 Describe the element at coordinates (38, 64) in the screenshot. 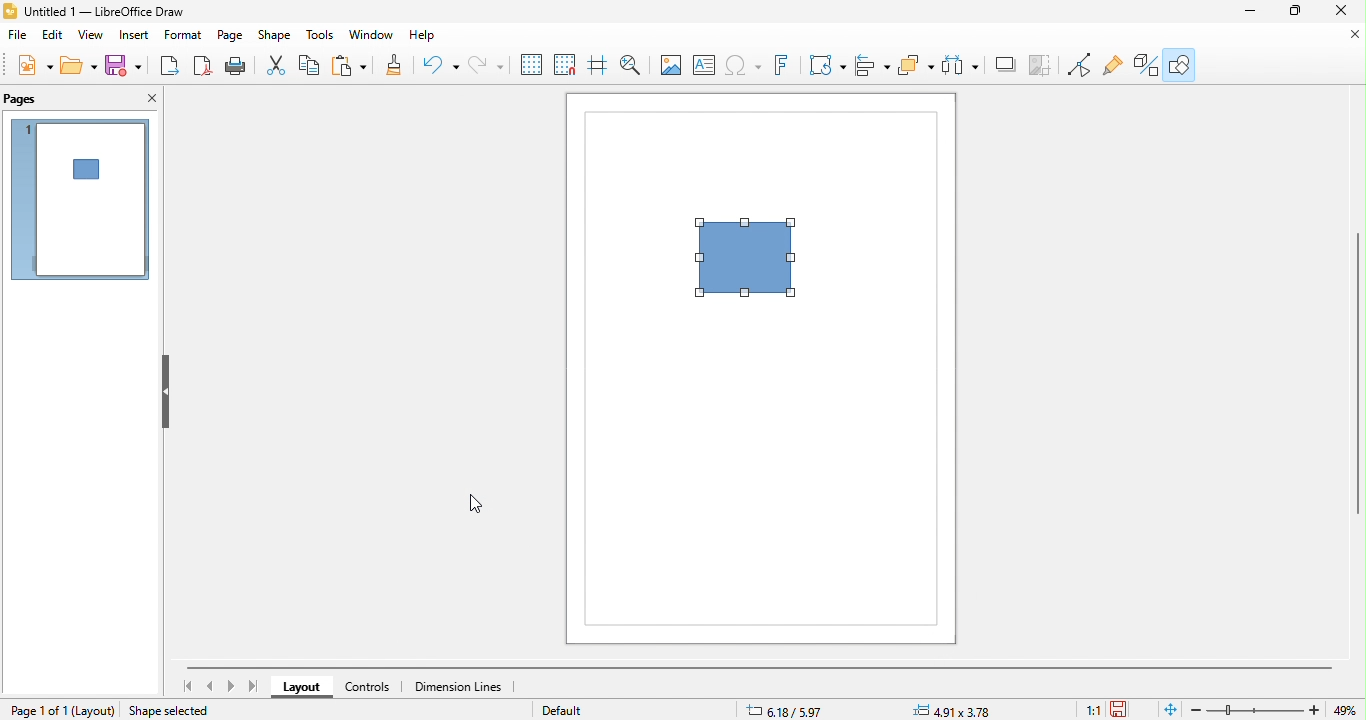

I see `new` at that location.